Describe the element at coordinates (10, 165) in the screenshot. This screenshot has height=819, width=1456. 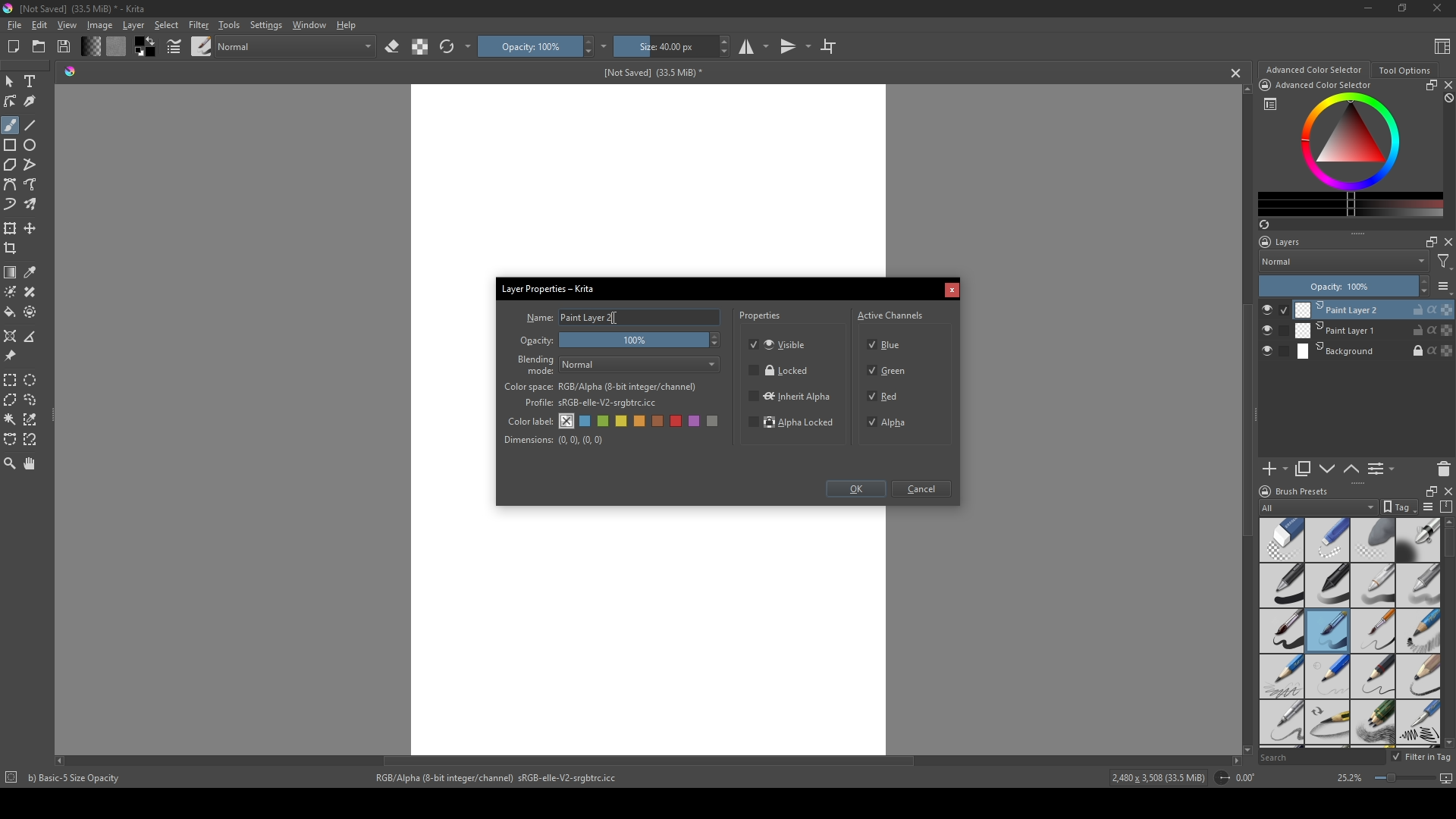
I see `polygon` at that location.